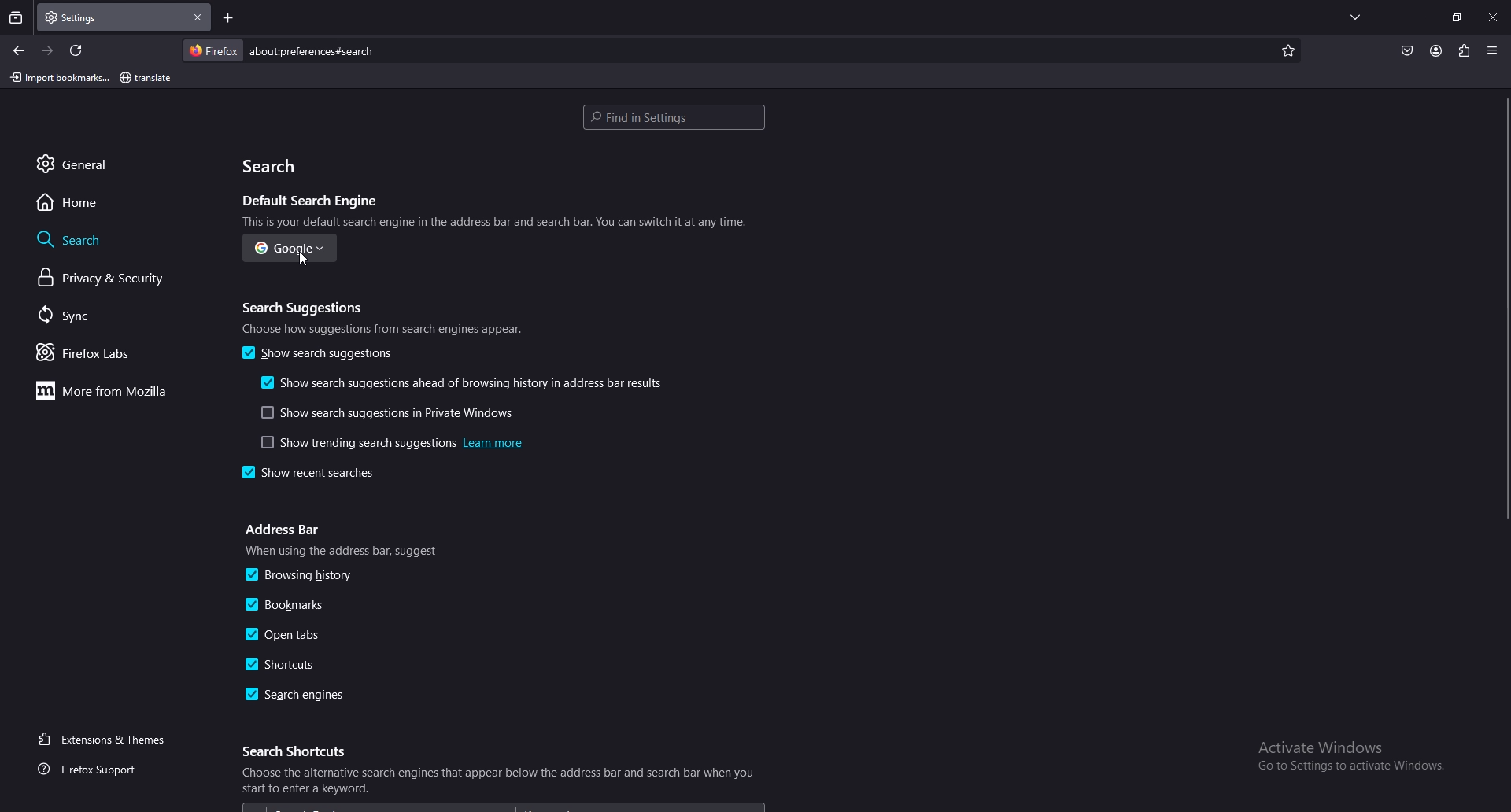 The width and height of the screenshot is (1511, 812). What do you see at coordinates (1420, 17) in the screenshot?
I see `minimize` at bounding box center [1420, 17].